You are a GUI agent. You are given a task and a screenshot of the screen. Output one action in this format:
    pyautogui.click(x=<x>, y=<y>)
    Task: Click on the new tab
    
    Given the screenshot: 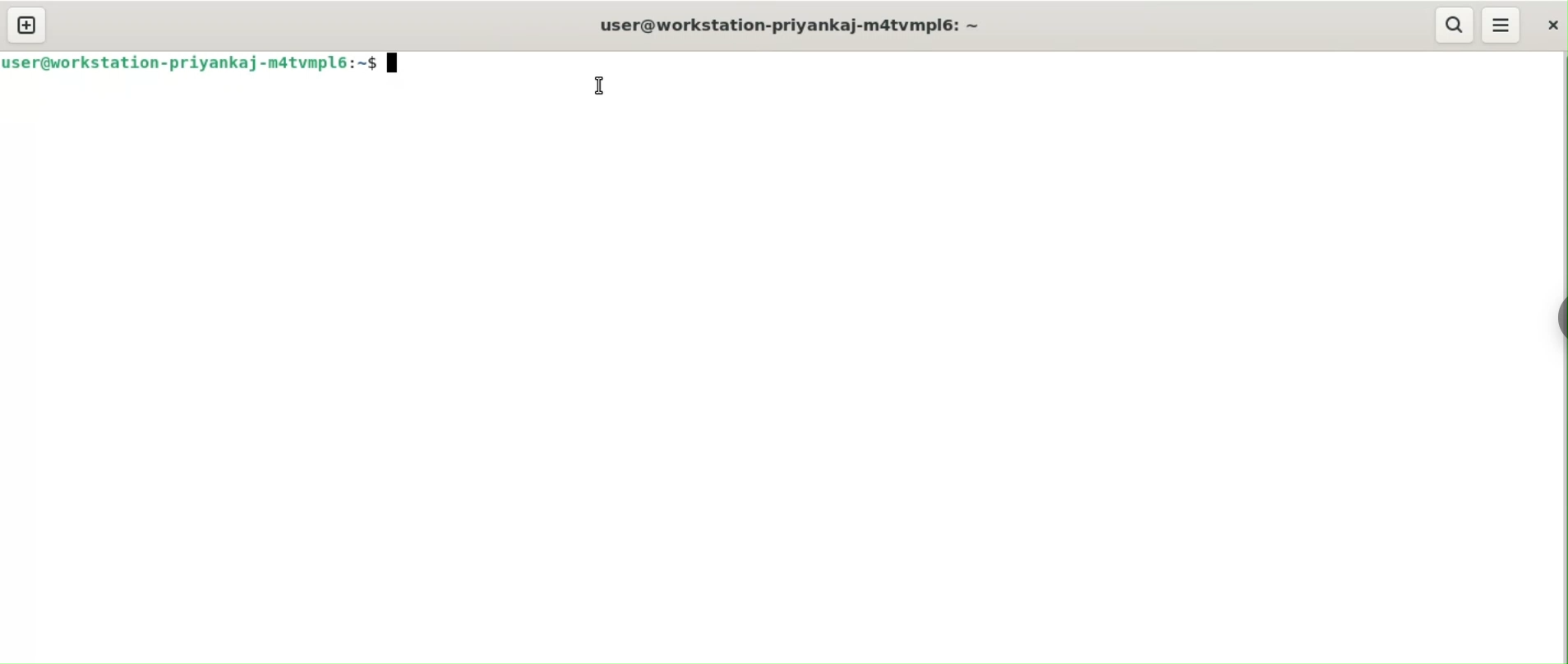 What is the action you would take?
    pyautogui.click(x=27, y=24)
    